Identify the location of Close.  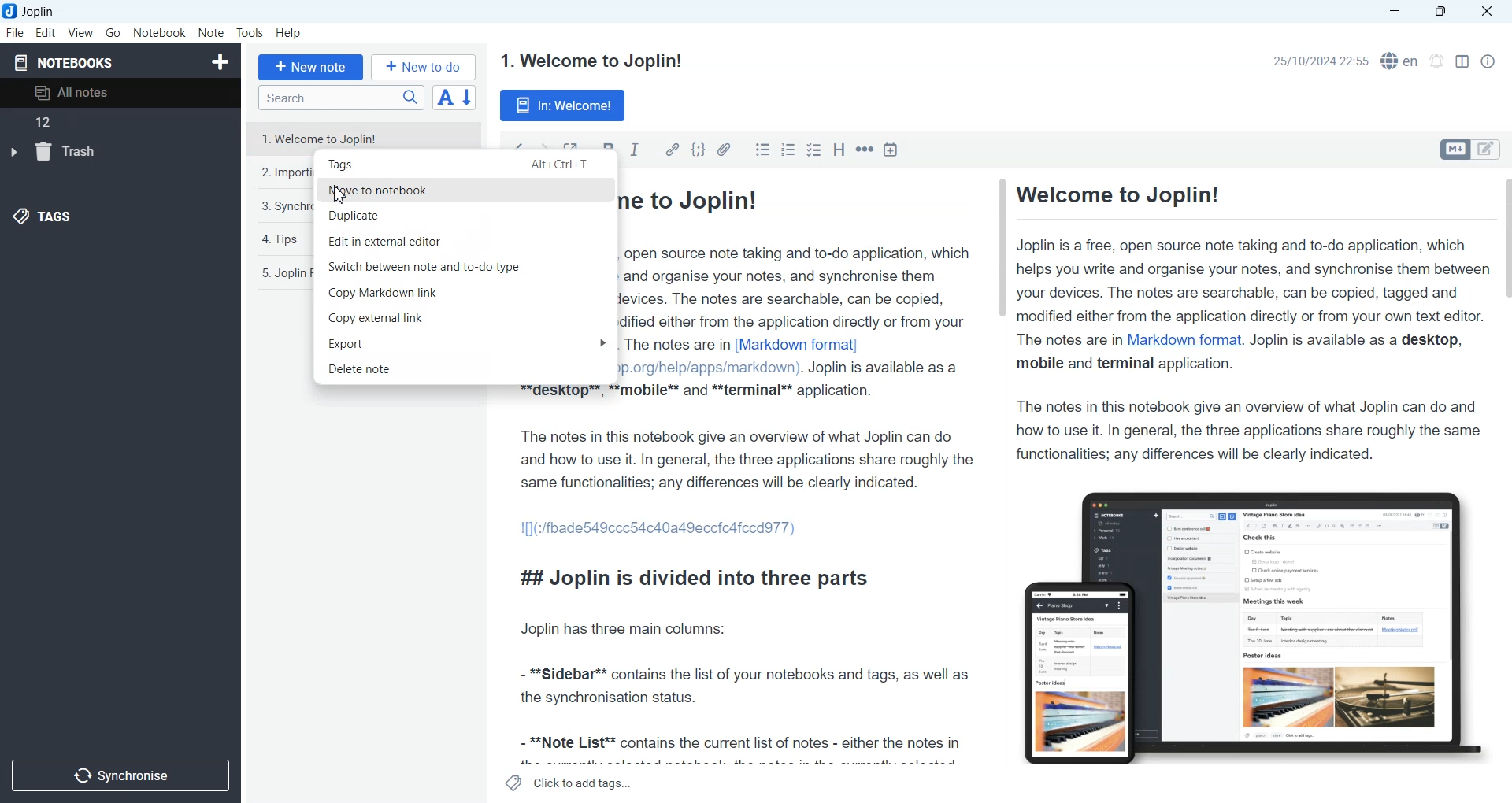
(1485, 12).